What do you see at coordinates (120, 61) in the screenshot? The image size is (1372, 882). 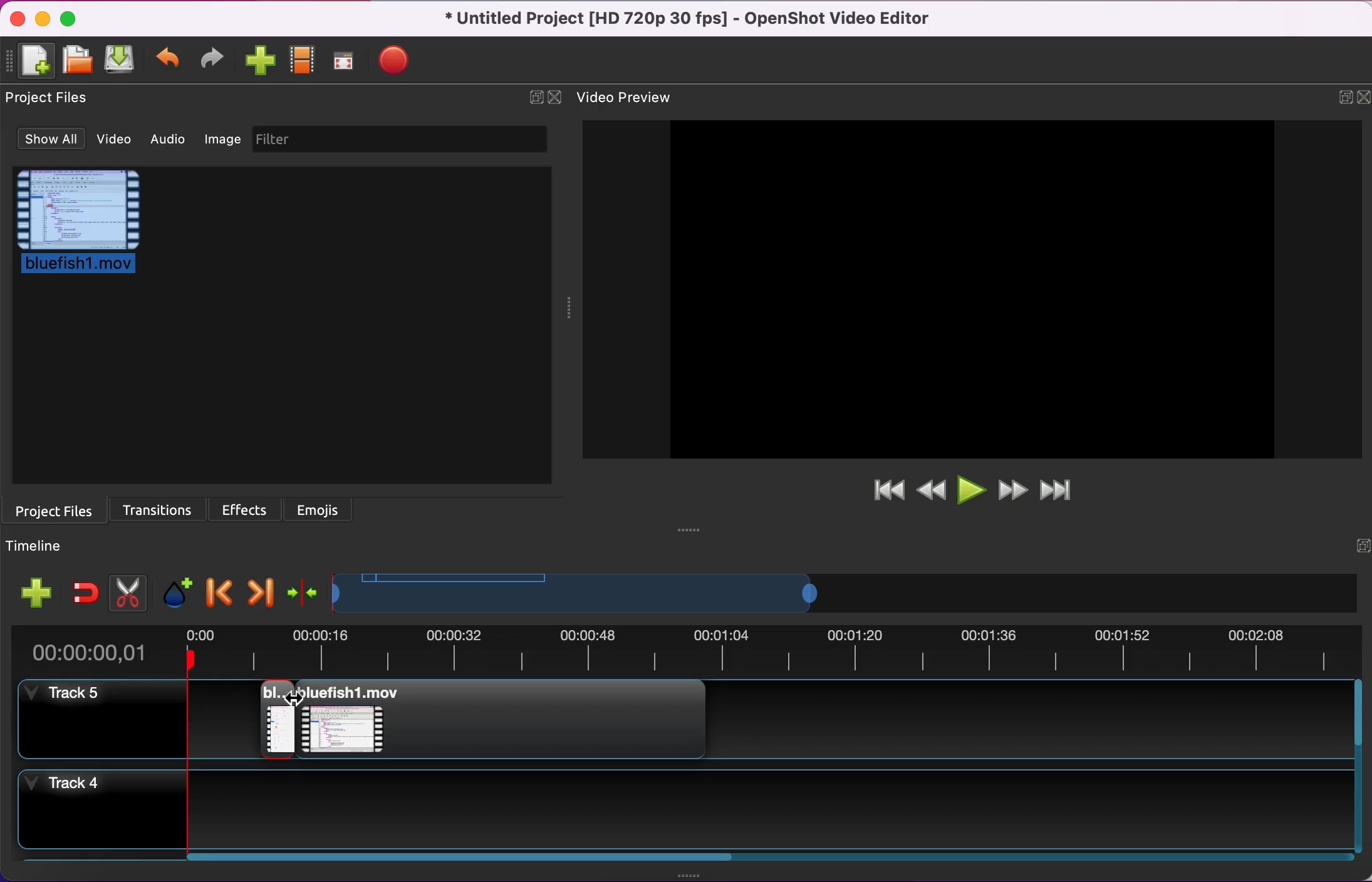 I see `save project` at bounding box center [120, 61].